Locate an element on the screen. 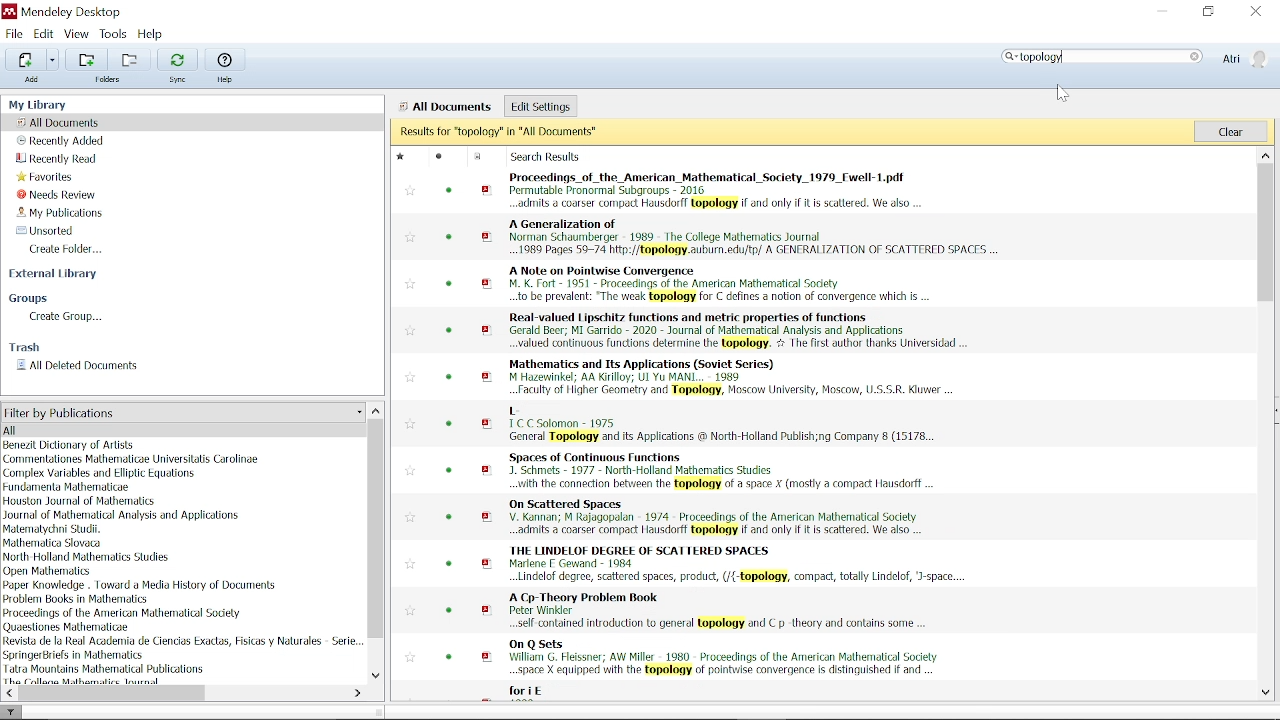 Image resolution: width=1280 pixels, height=720 pixels. Edit is located at coordinates (44, 34).